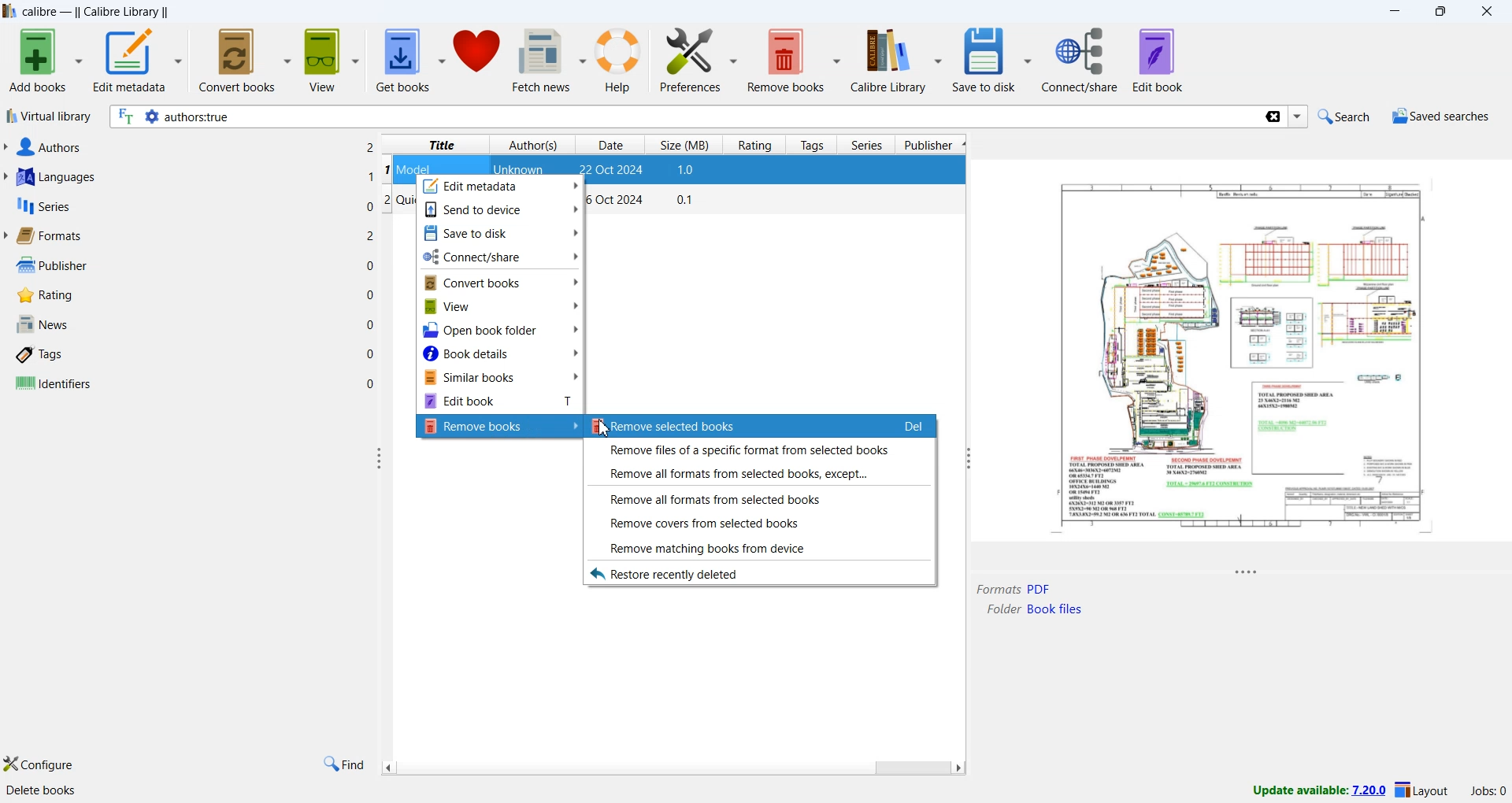 This screenshot has width=1512, height=803. What do you see at coordinates (500, 426) in the screenshot?
I see `Remove books` at bounding box center [500, 426].